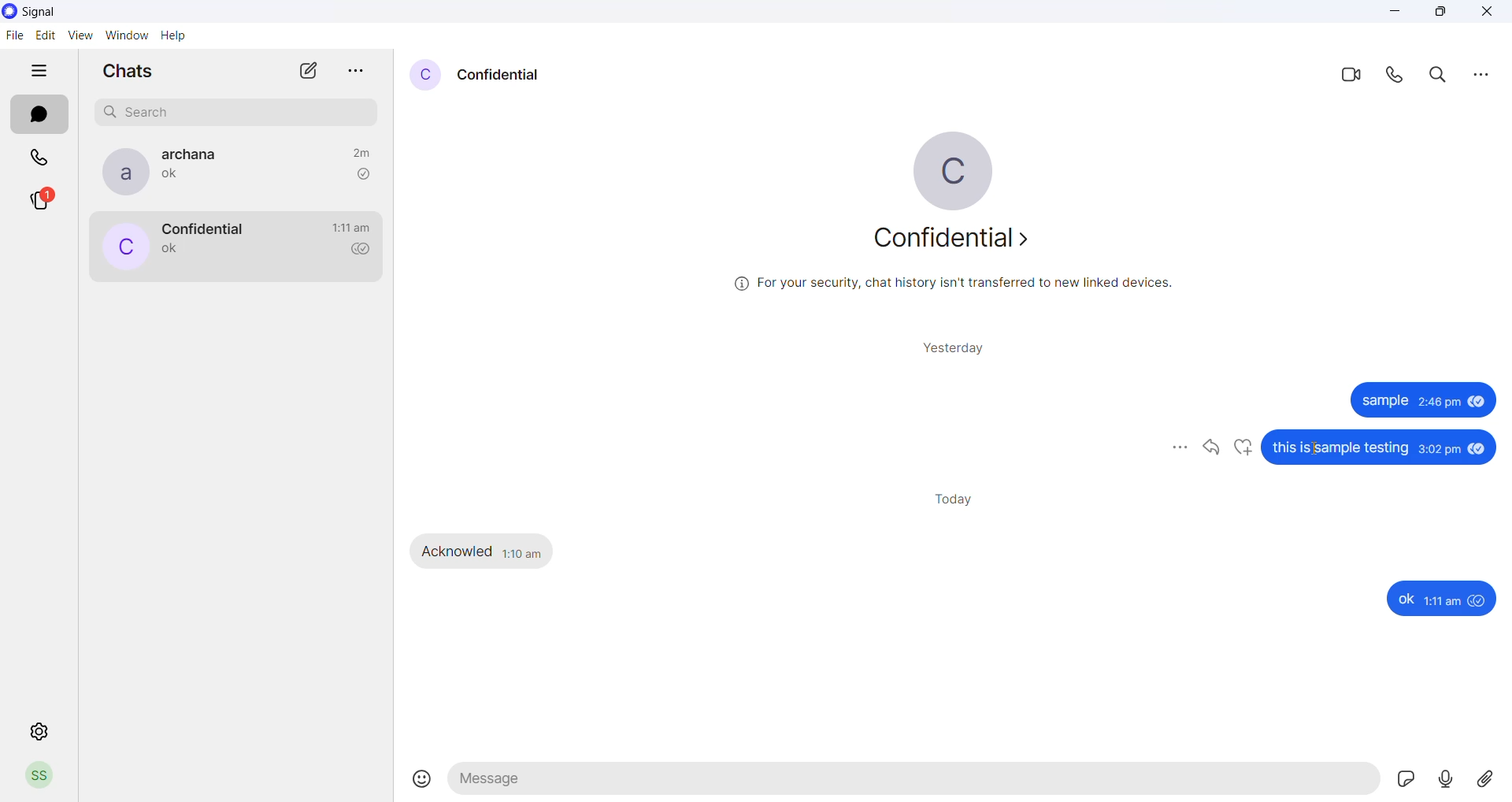 The height and width of the screenshot is (802, 1512). What do you see at coordinates (1449, 779) in the screenshot?
I see `voice note` at bounding box center [1449, 779].